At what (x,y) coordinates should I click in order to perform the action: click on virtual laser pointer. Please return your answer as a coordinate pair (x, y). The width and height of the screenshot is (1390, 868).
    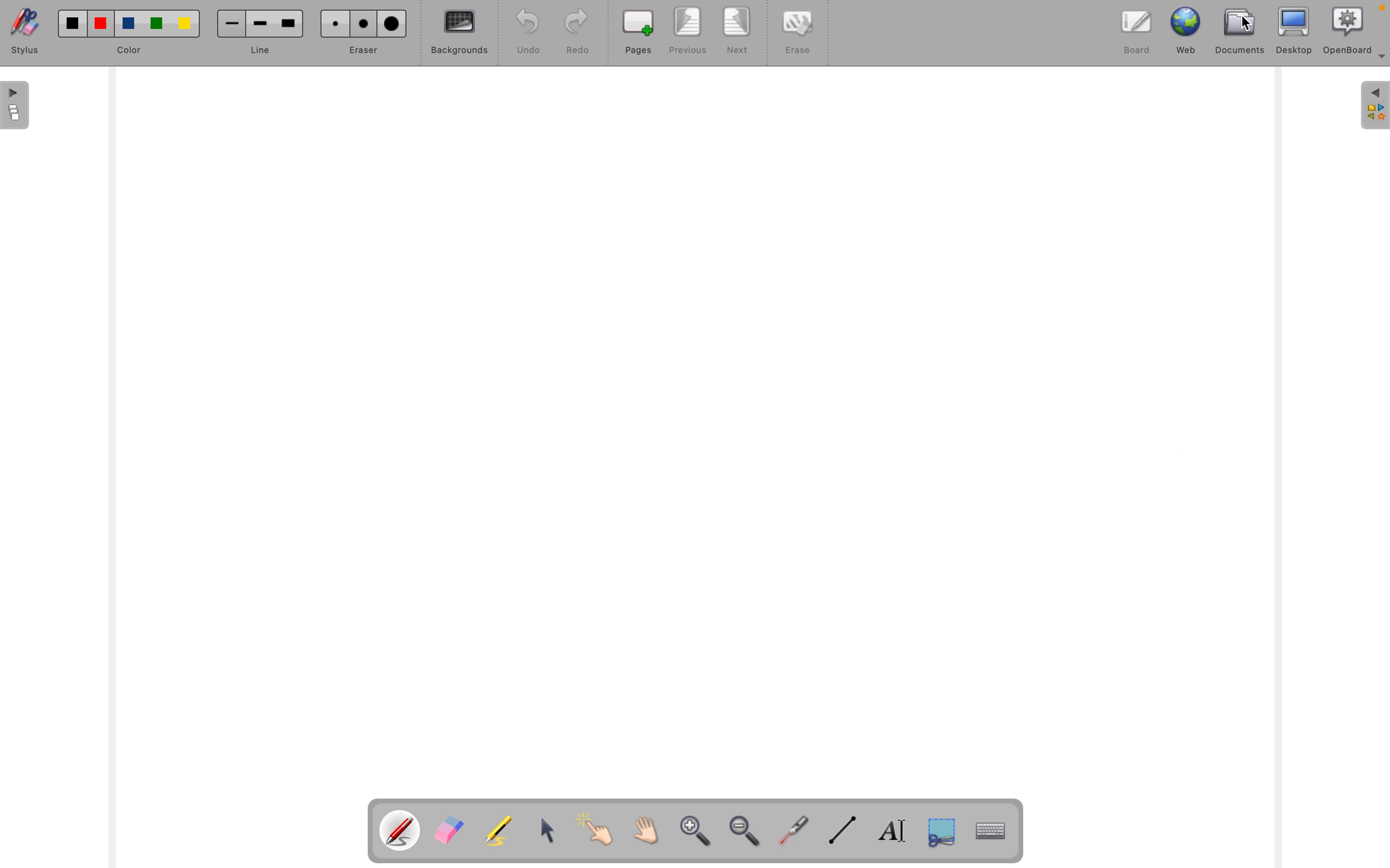
    Looking at the image, I should click on (796, 829).